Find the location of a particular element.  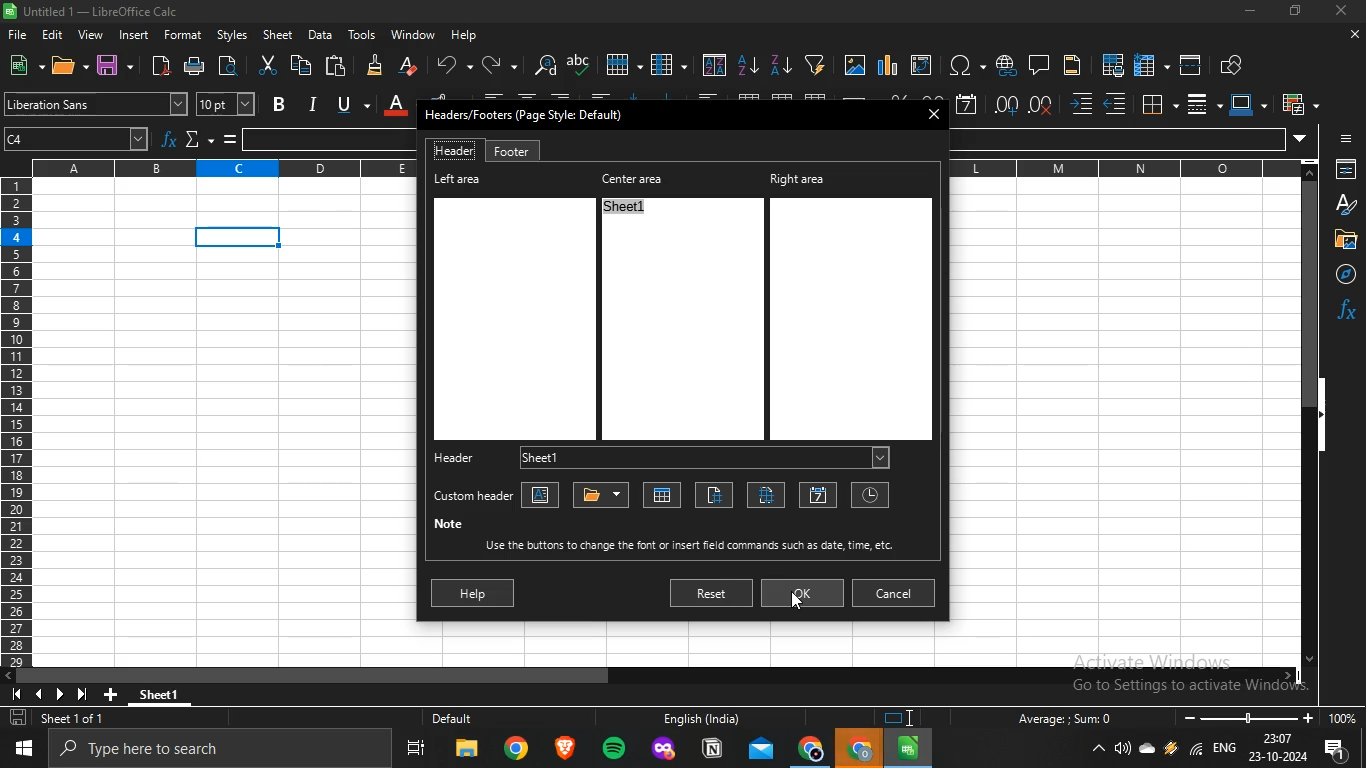

cursor is located at coordinates (797, 605).